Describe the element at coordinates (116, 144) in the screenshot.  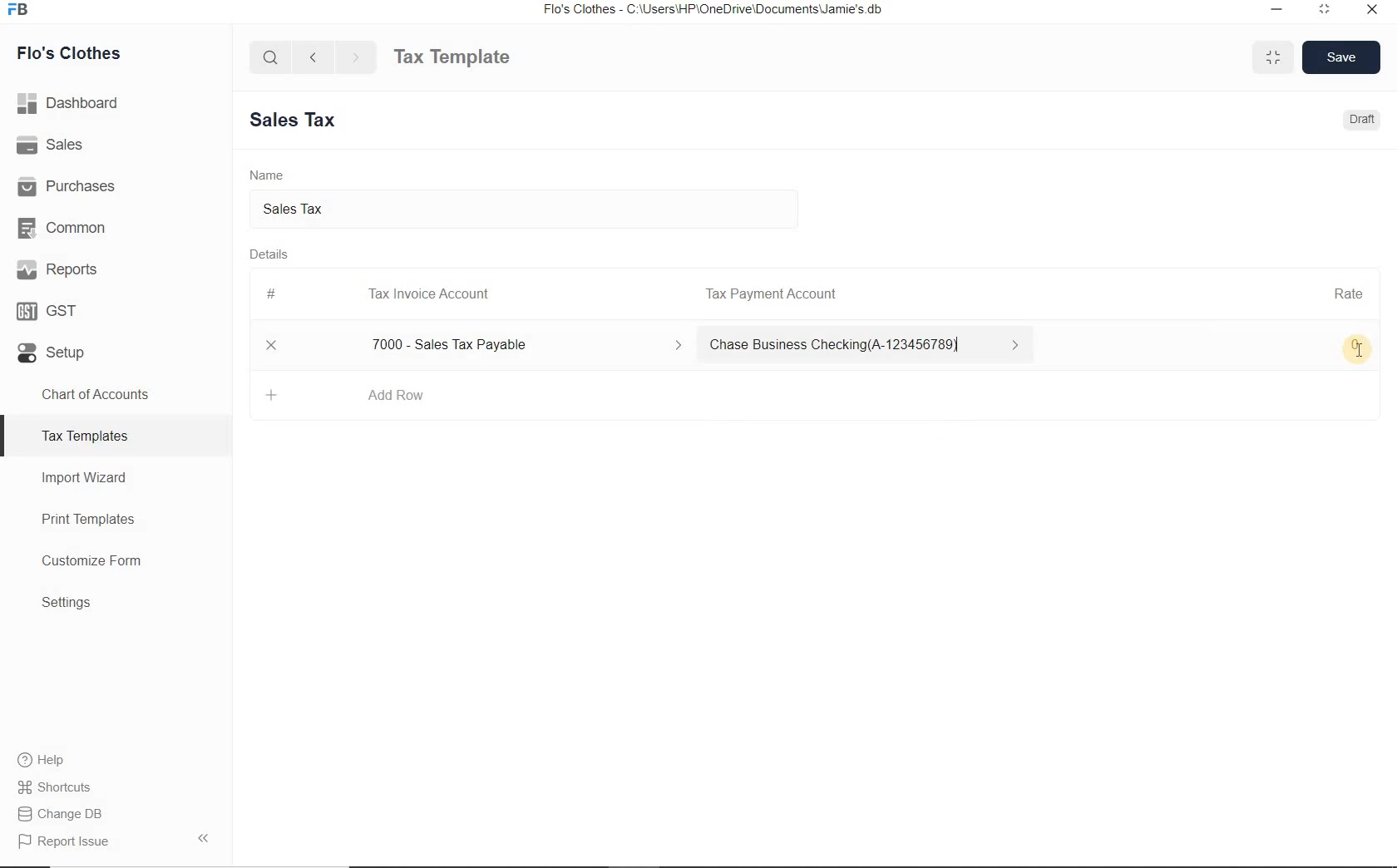
I see `Sales` at that location.